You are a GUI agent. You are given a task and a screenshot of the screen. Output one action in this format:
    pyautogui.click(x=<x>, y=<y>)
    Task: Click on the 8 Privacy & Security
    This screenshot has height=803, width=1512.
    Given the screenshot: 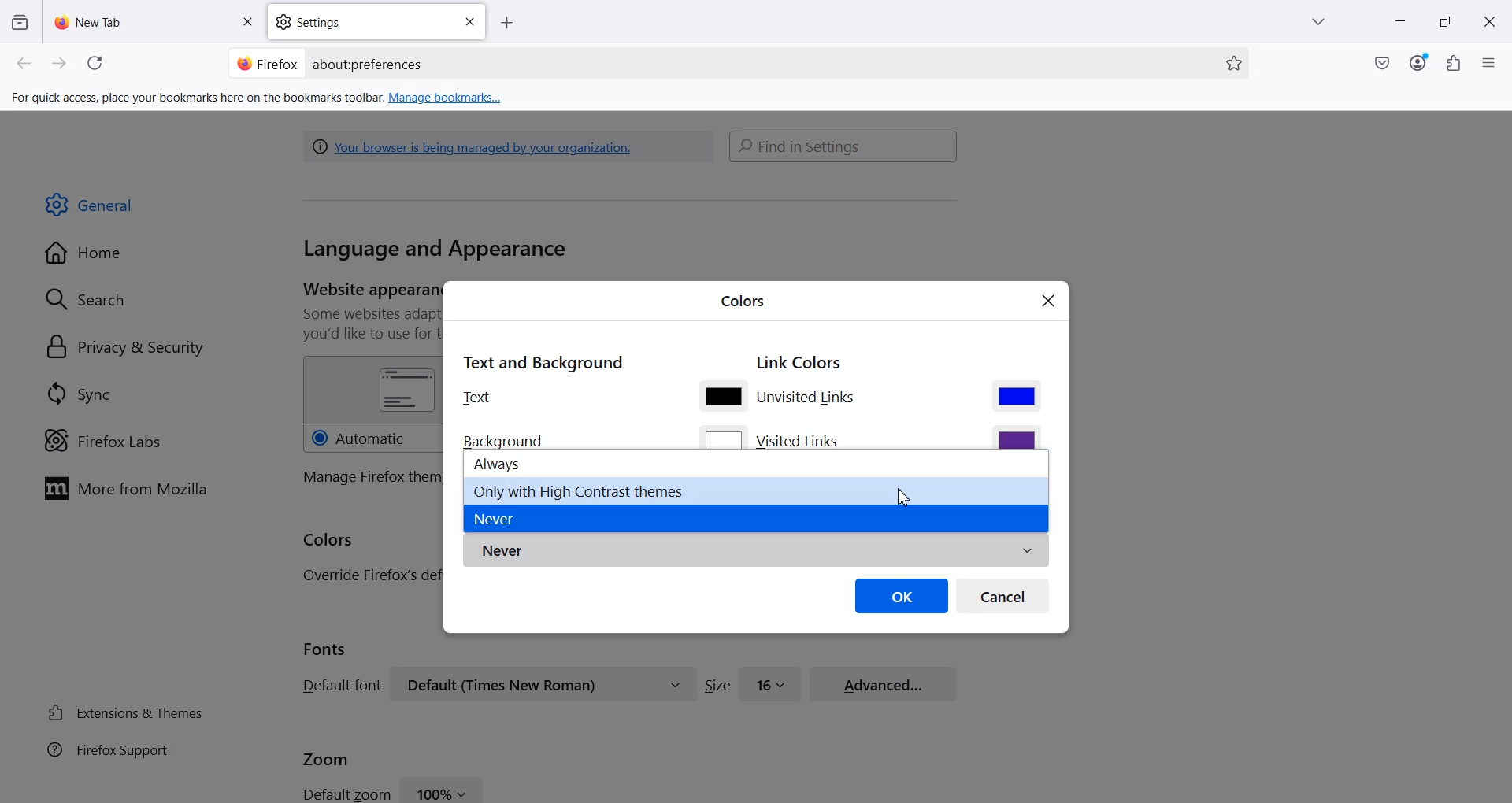 What is the action you would take?
    pyautogui.click(x=125, y=349)
    